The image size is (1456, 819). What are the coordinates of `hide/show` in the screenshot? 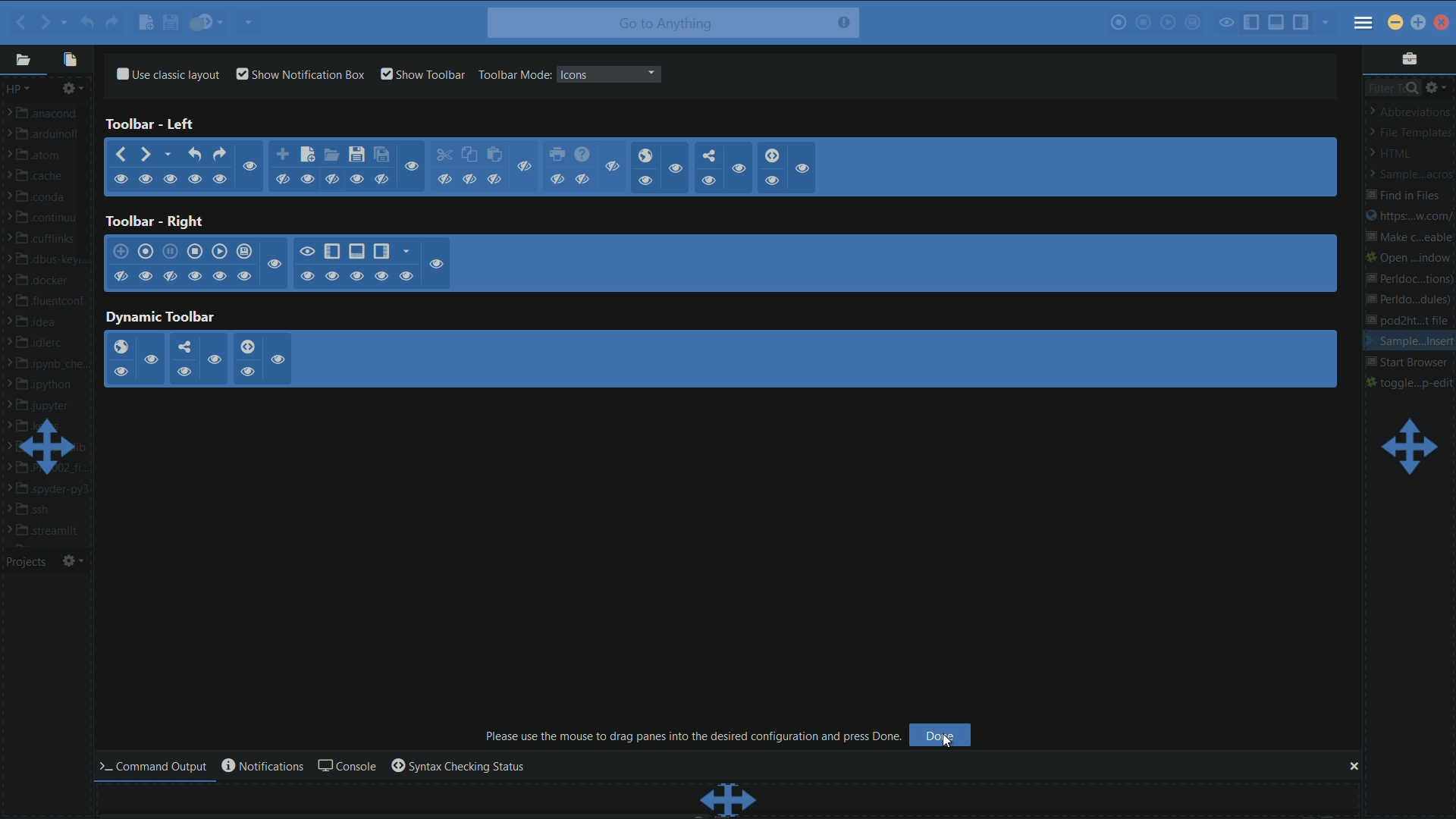 It's located at (307, 250).